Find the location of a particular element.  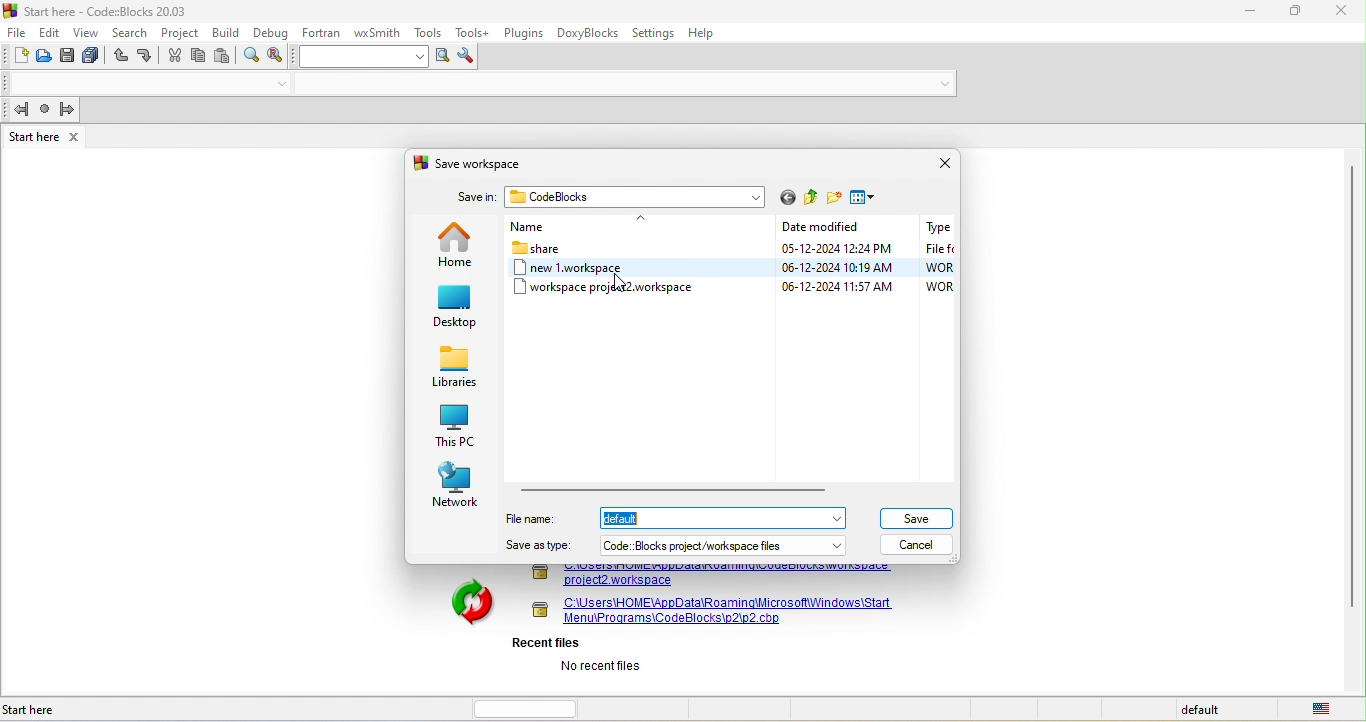

Start here is located at coordinates (33, 710).